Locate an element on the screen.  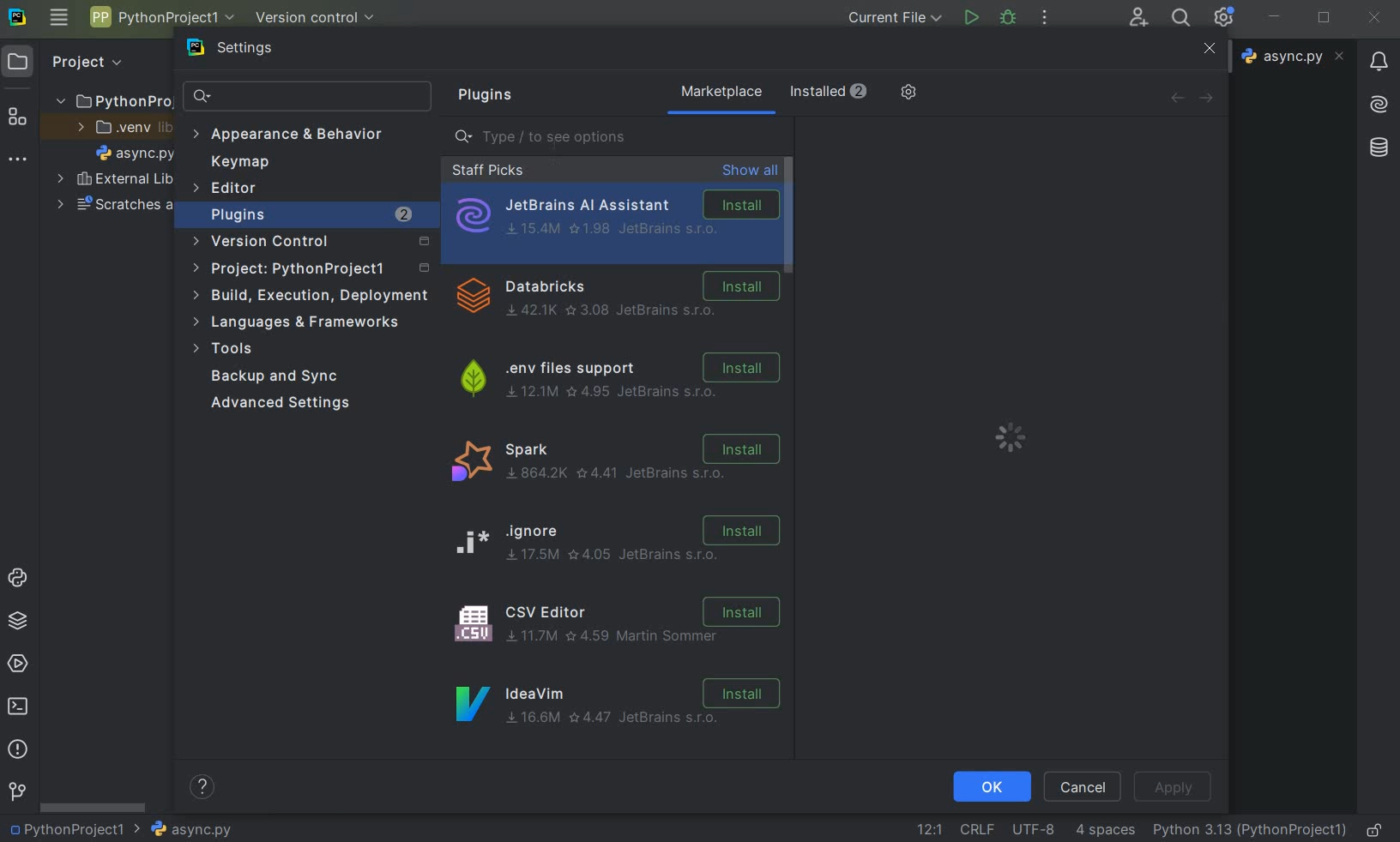
current interpreter is located at coordinates (1250, 831).